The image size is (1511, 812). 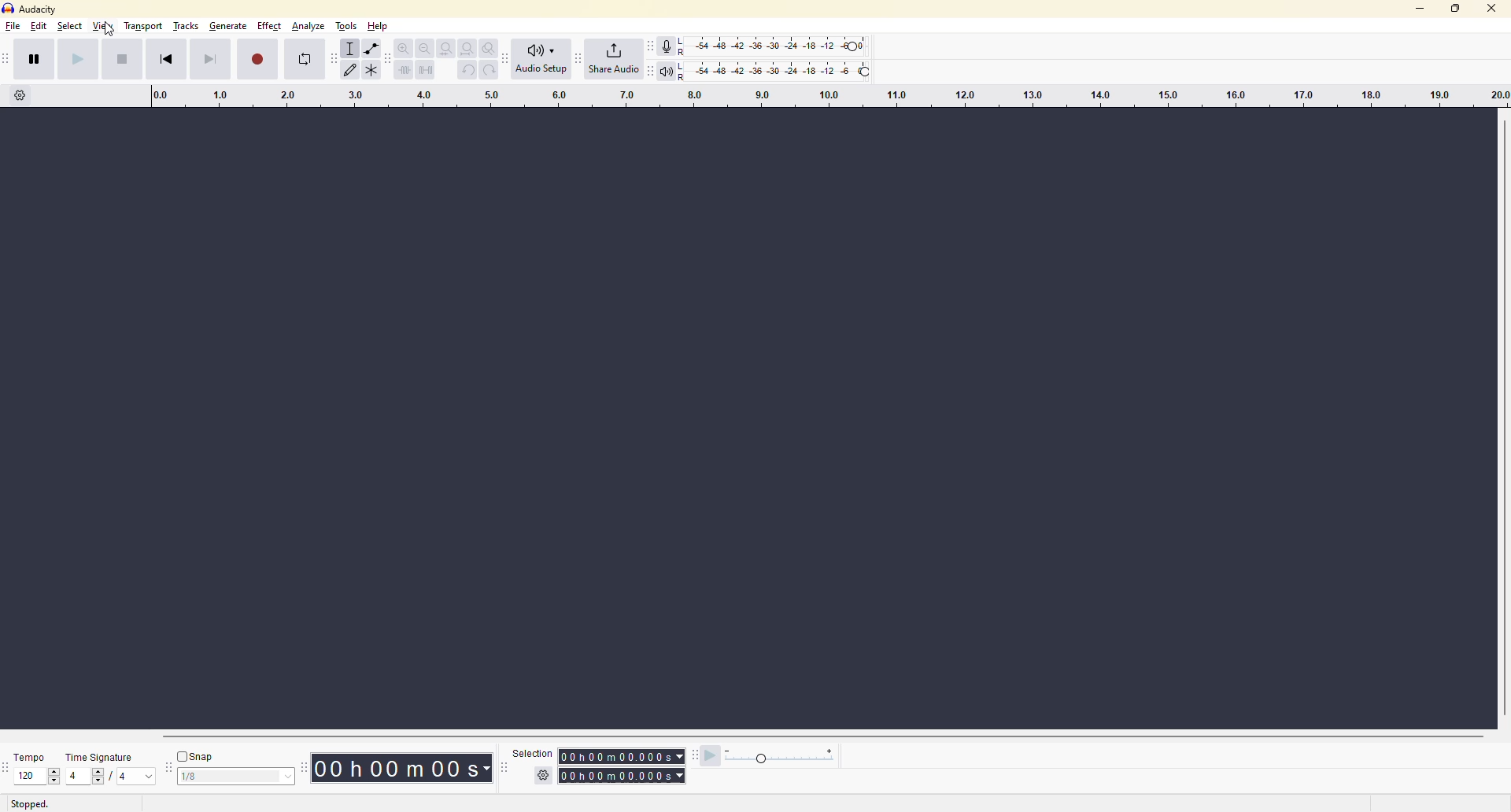 I want to click on tracks, so click(x=187, y=24).